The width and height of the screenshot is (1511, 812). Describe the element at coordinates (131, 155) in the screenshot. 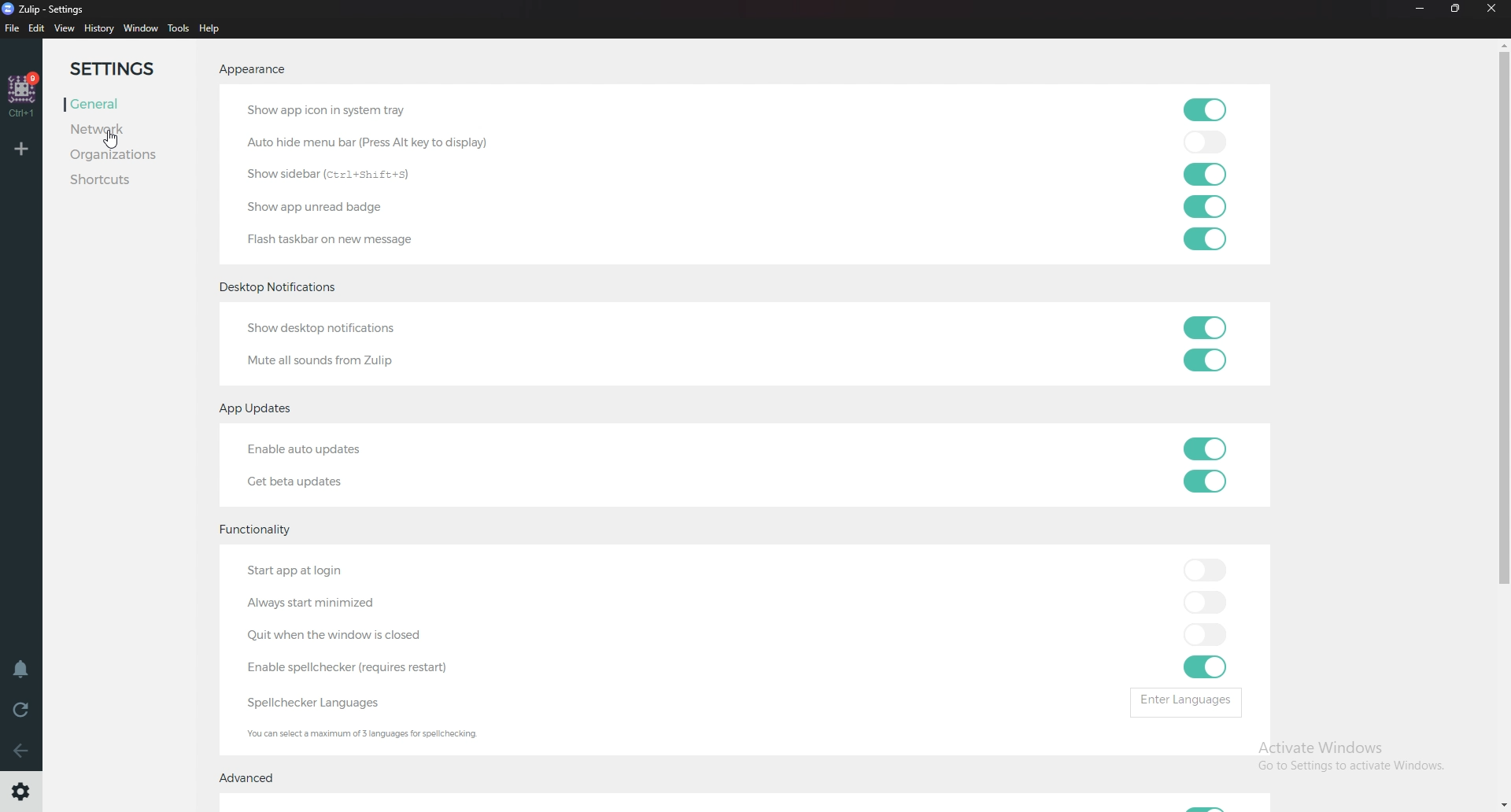

I see `Organizations` at that location.